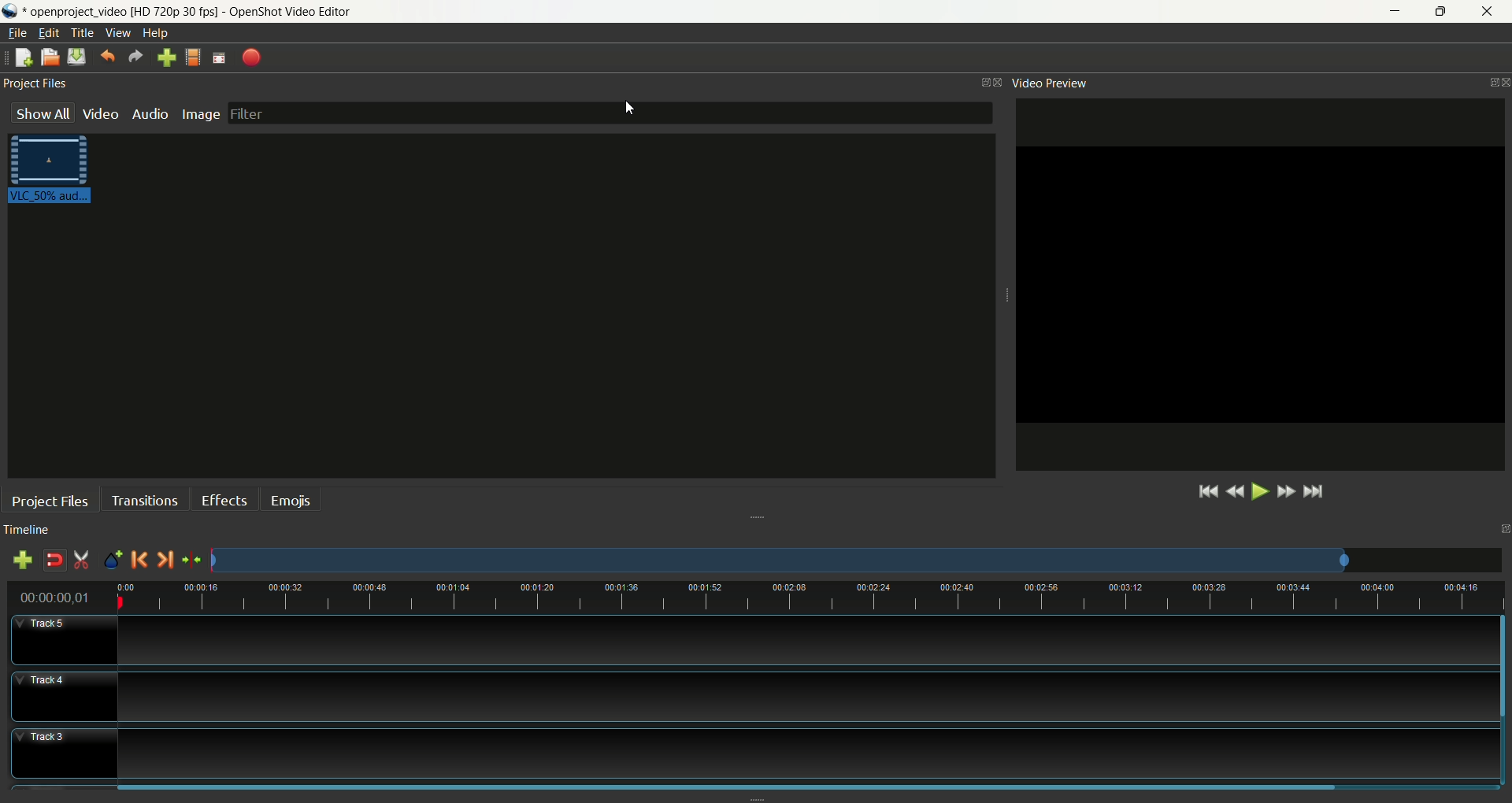 The width and height of the screenshot is (1512, 803). I want to click on cursor, so click(628, 108).